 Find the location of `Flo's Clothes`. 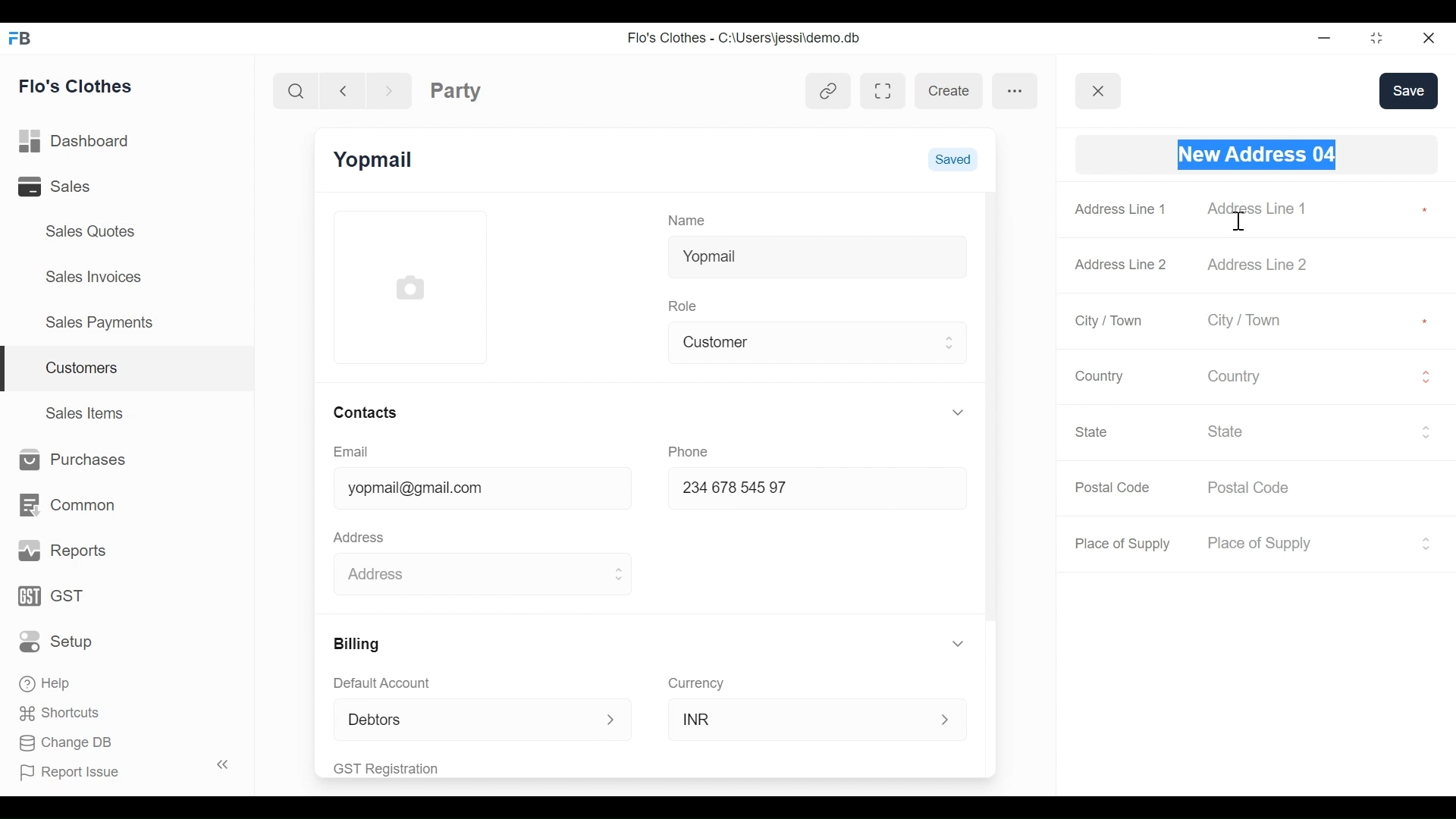

Flo's Clothes is located at coordinates (78, 86).